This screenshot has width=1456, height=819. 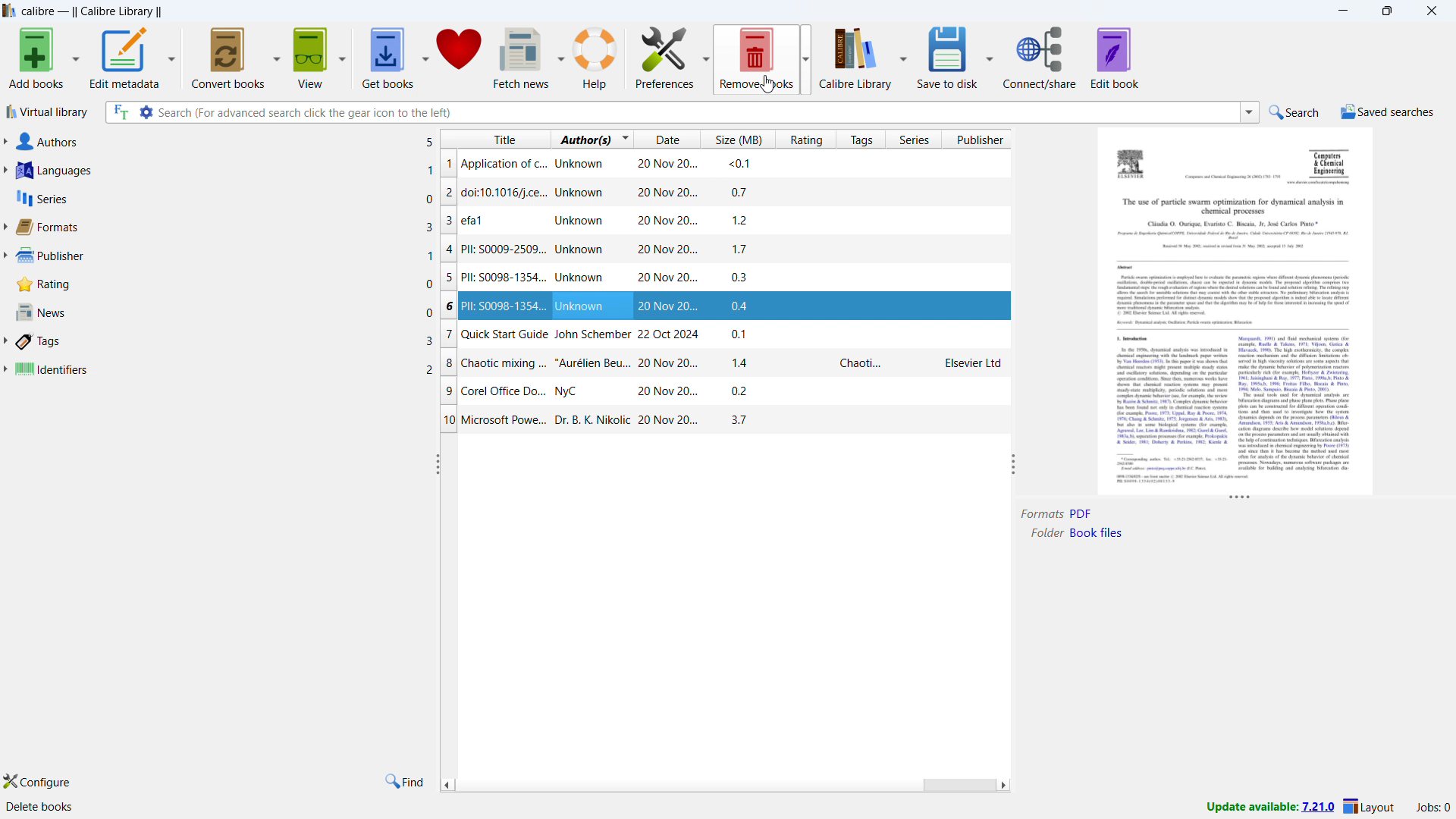 What do you see at coordinates (460, 56) in the screenshot?
I see `donate to clibre` at bounding box center [460, 56].